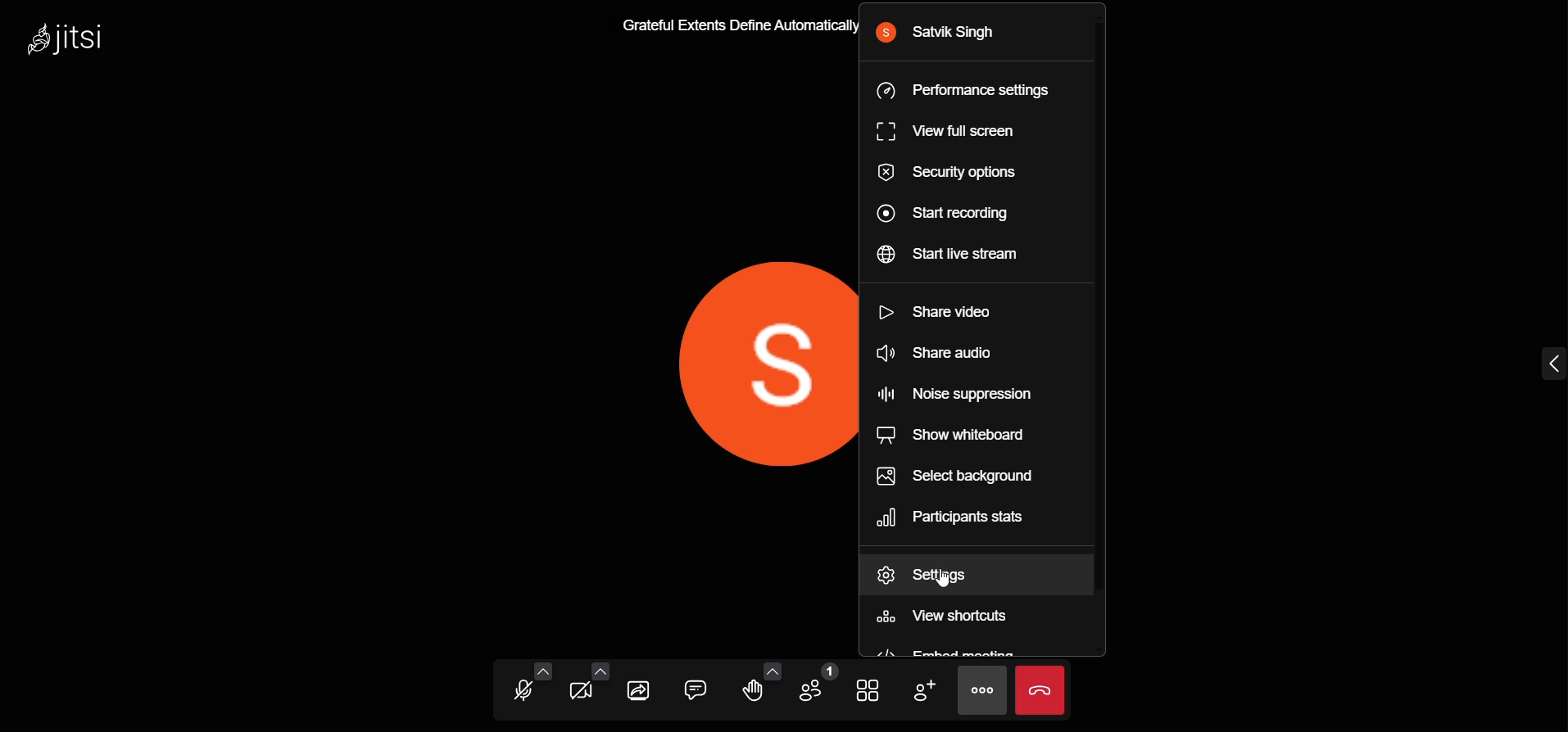 This screenshot has width=1568, height=732. I want to click on settings, so click(939, 574).